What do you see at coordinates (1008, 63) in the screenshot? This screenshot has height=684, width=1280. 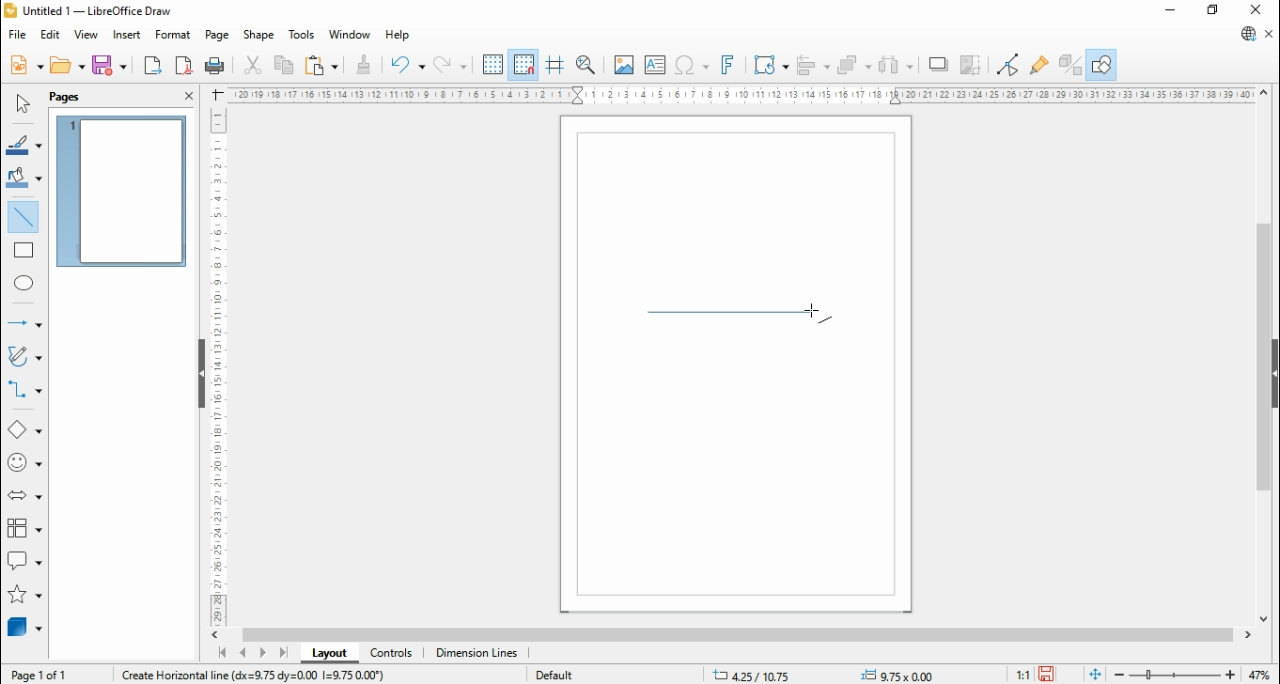 I see `toggle point edit mode` at bounding box center [1008, 63].